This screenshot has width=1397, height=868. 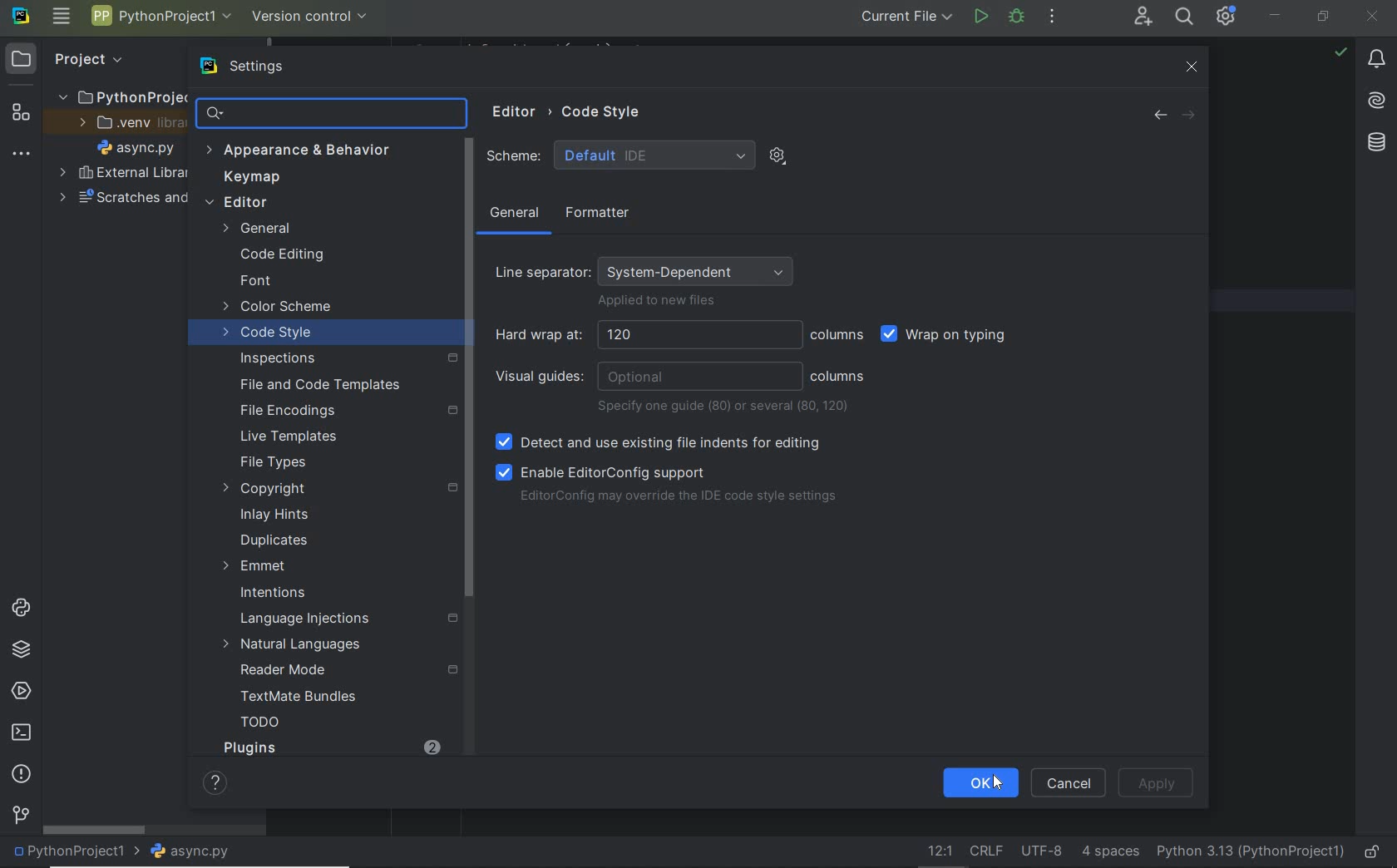 I want to click on inspections, so click(x=343, y=358).